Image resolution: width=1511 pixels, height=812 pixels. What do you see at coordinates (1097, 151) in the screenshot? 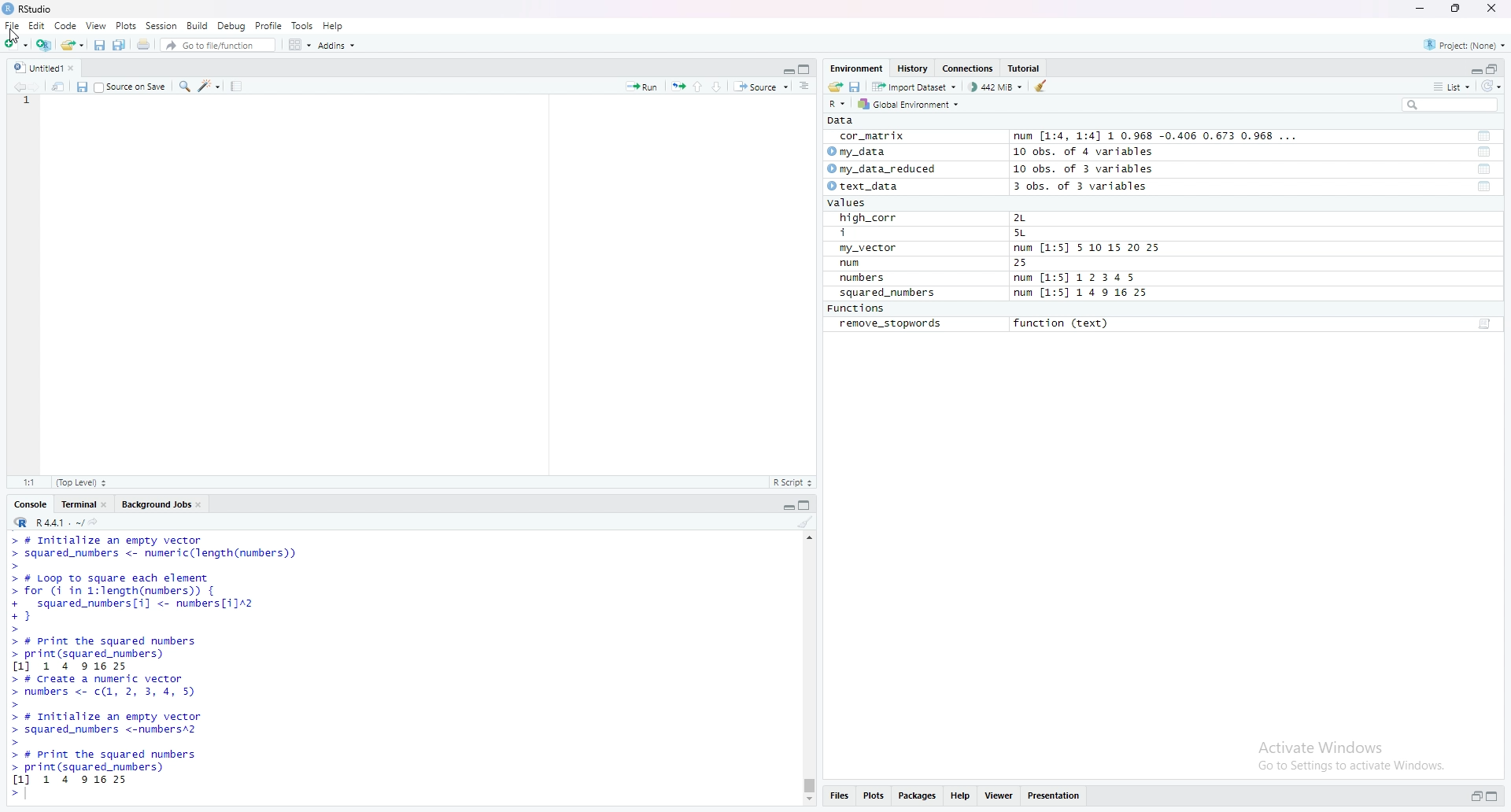
I see `10 obs. of 4 variables` at bounding box center [1097, 151].